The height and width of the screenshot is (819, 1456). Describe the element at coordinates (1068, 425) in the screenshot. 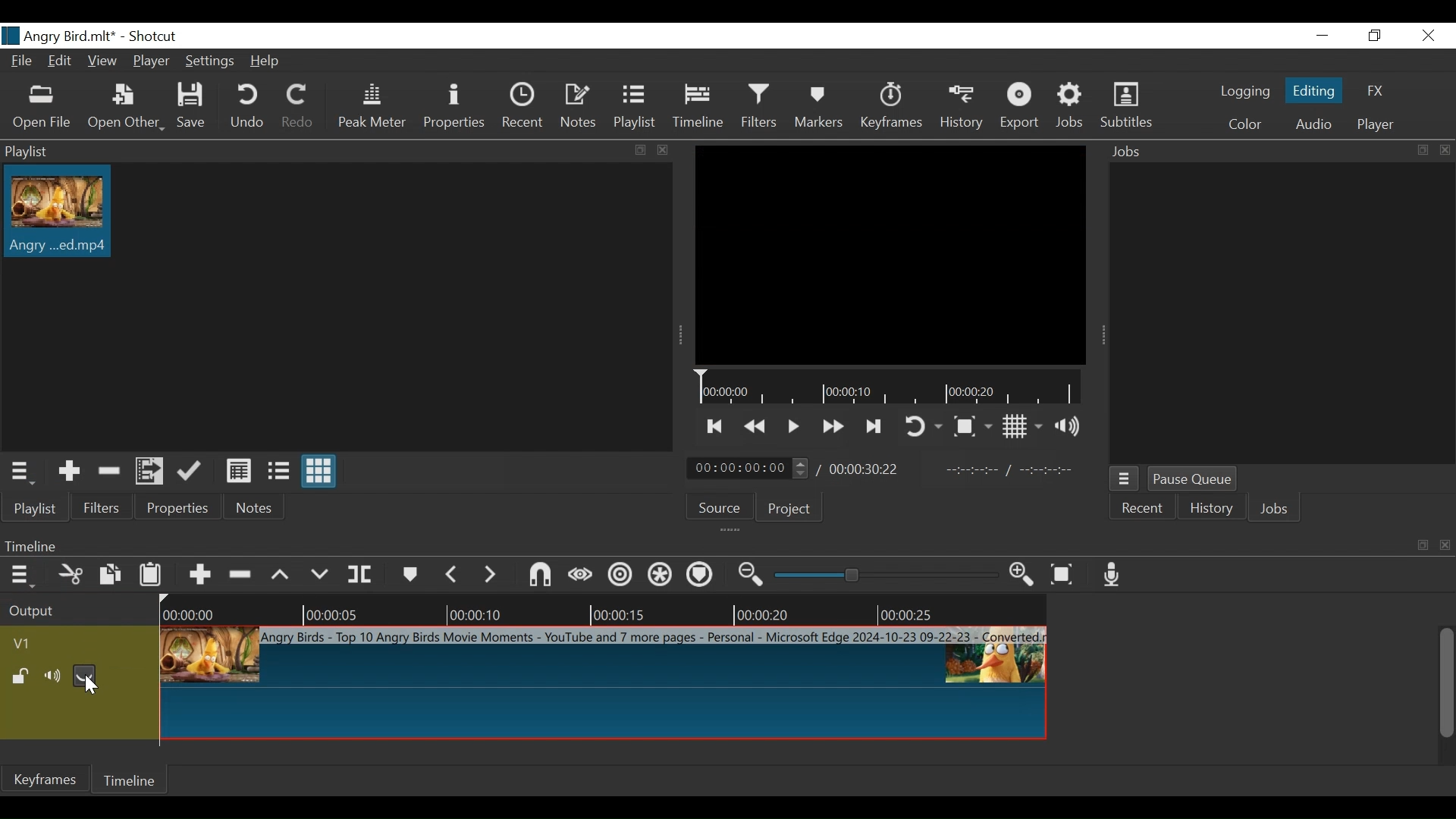

I see `Show volume control` at that location.